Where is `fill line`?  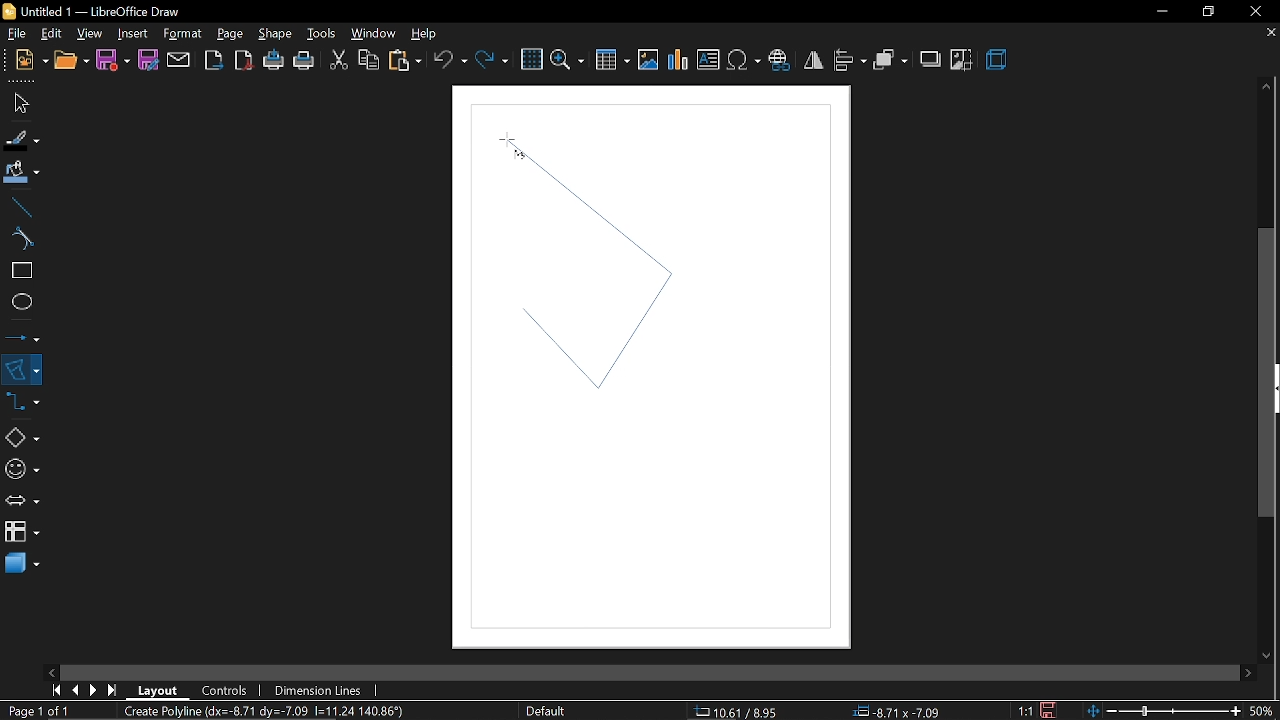 fill line is located at coordinates (20, 138).